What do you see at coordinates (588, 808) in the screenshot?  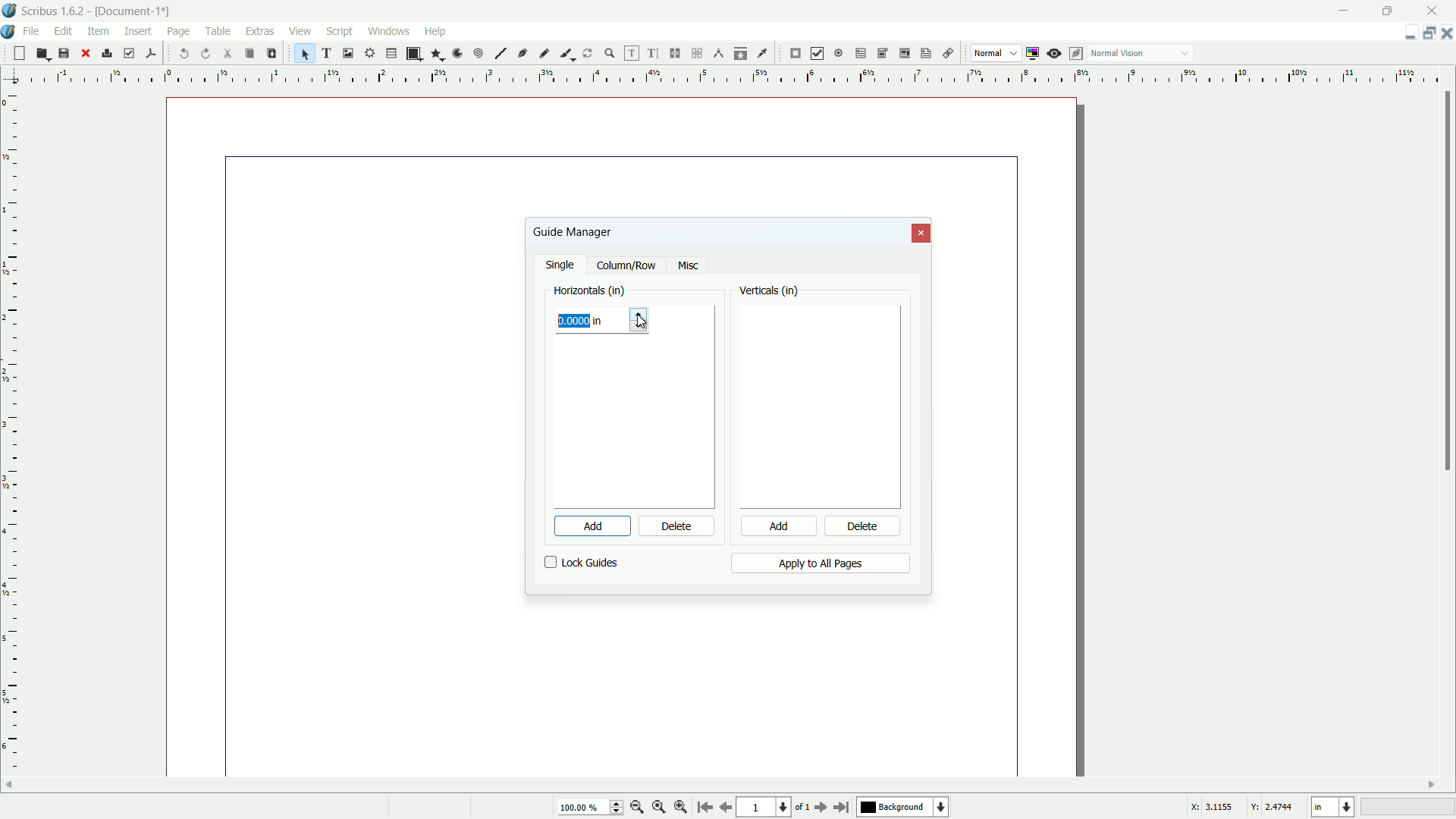 I see `current zoom percentage` at bounding box center [588, 808].